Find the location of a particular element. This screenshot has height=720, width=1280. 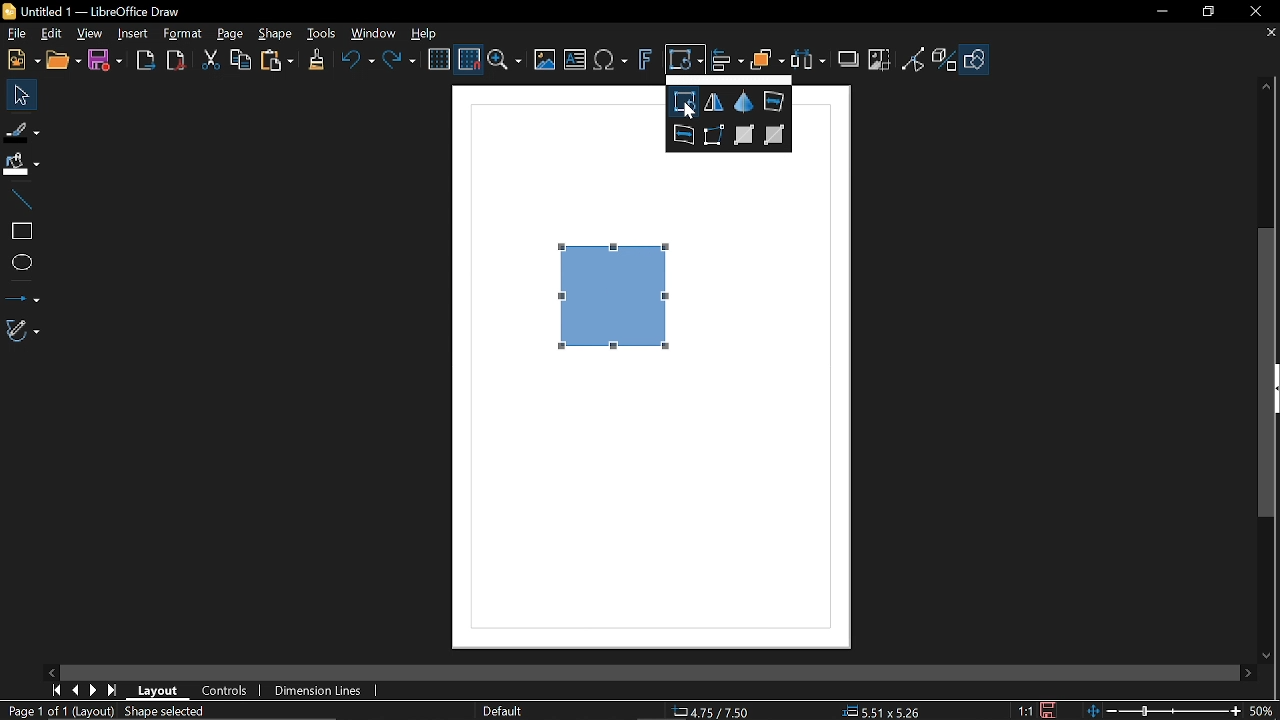

Slide master name is located at coordinates (503, 709).